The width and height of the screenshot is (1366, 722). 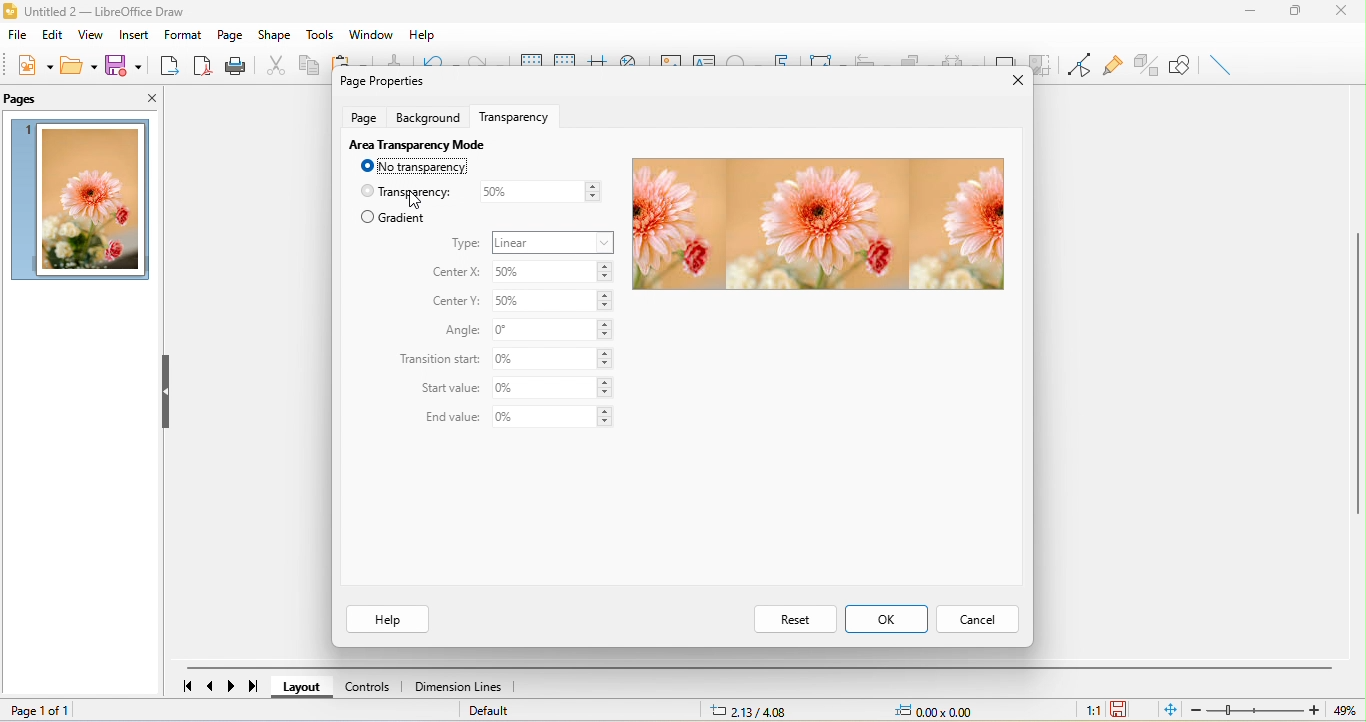 What do you see at coordinates (1271, 710) in the screenshot?
I see `zoom` at bounding box center [1271, 710].